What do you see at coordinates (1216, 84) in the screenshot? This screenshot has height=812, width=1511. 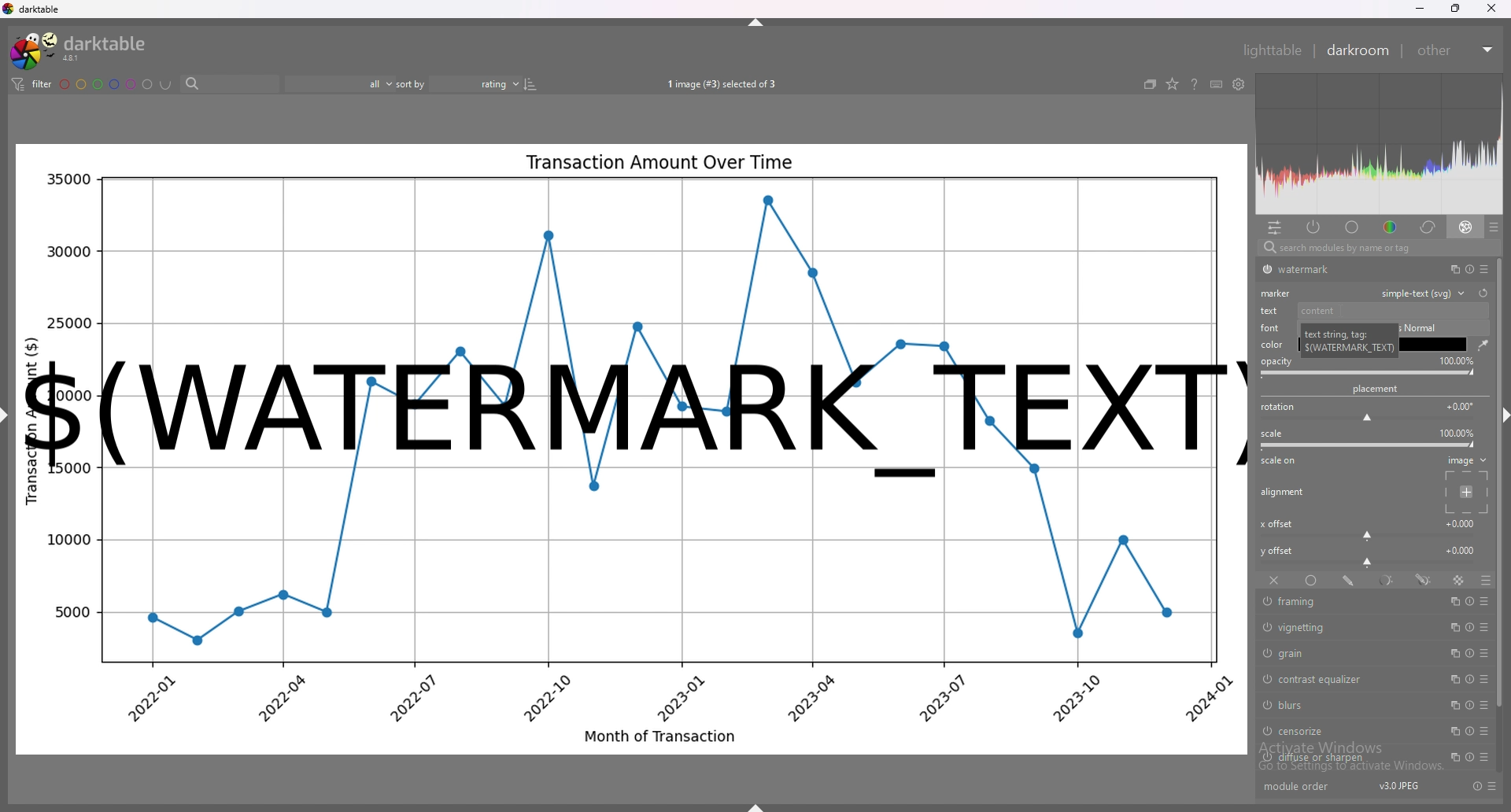 I see `keyboard shortcuts` at bounding box center [1216, 84].